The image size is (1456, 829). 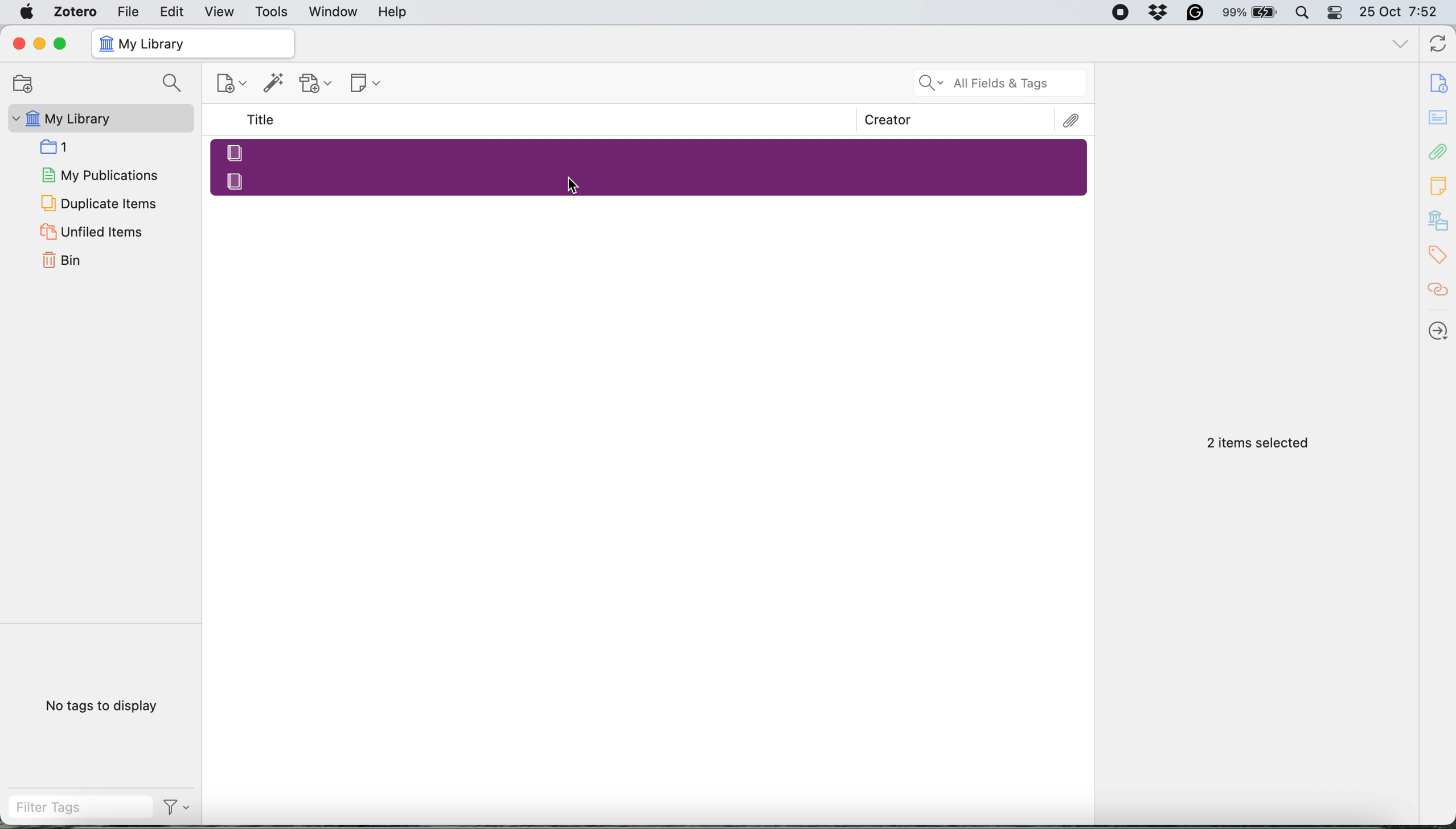 What do you see at coordinates (1401, 46) in the screenshot?
I see `list all tabs` at bounding box center [1401, 46].